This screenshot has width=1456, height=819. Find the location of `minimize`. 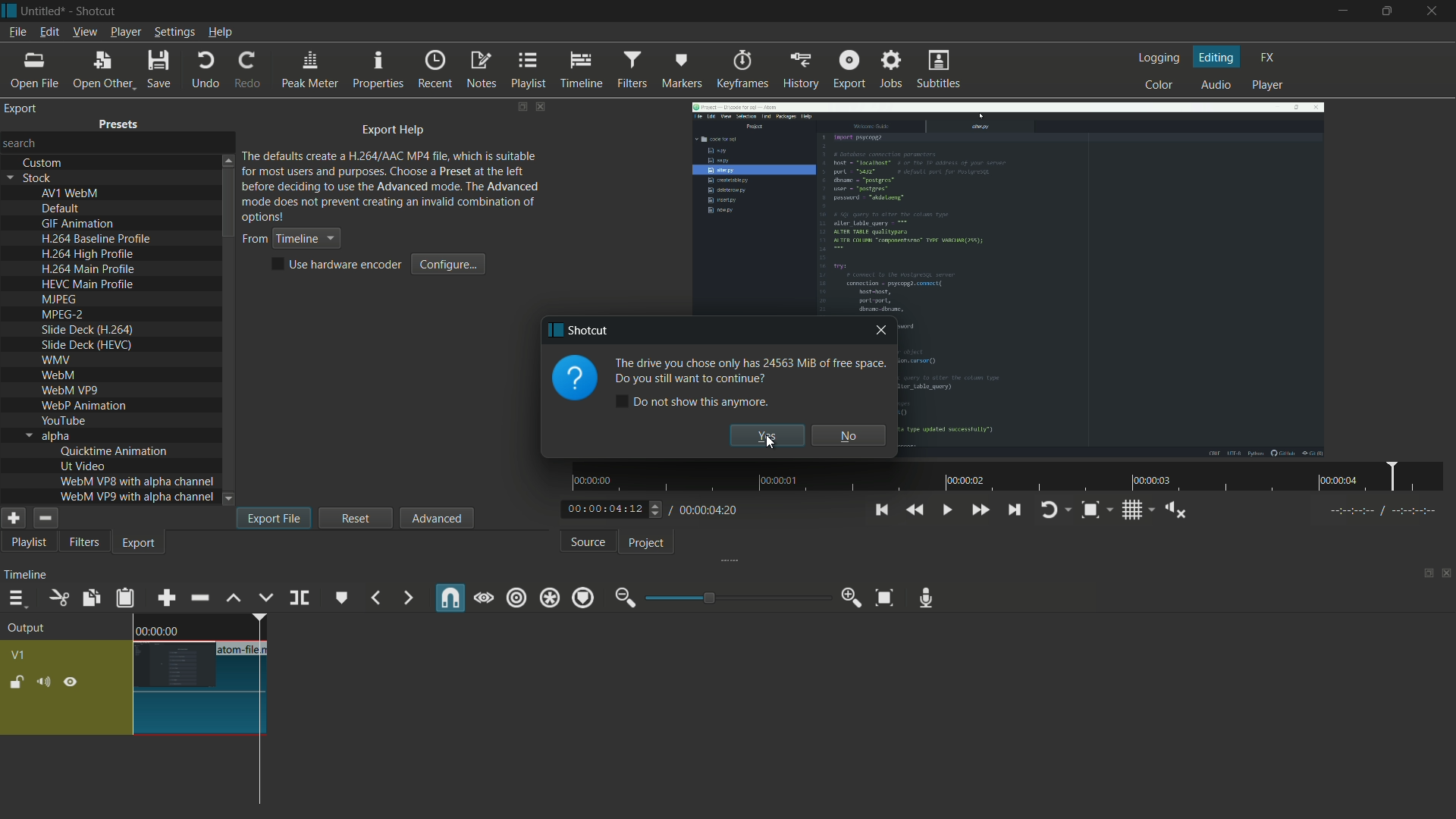

minimize is located at coordinates (1341, 11).